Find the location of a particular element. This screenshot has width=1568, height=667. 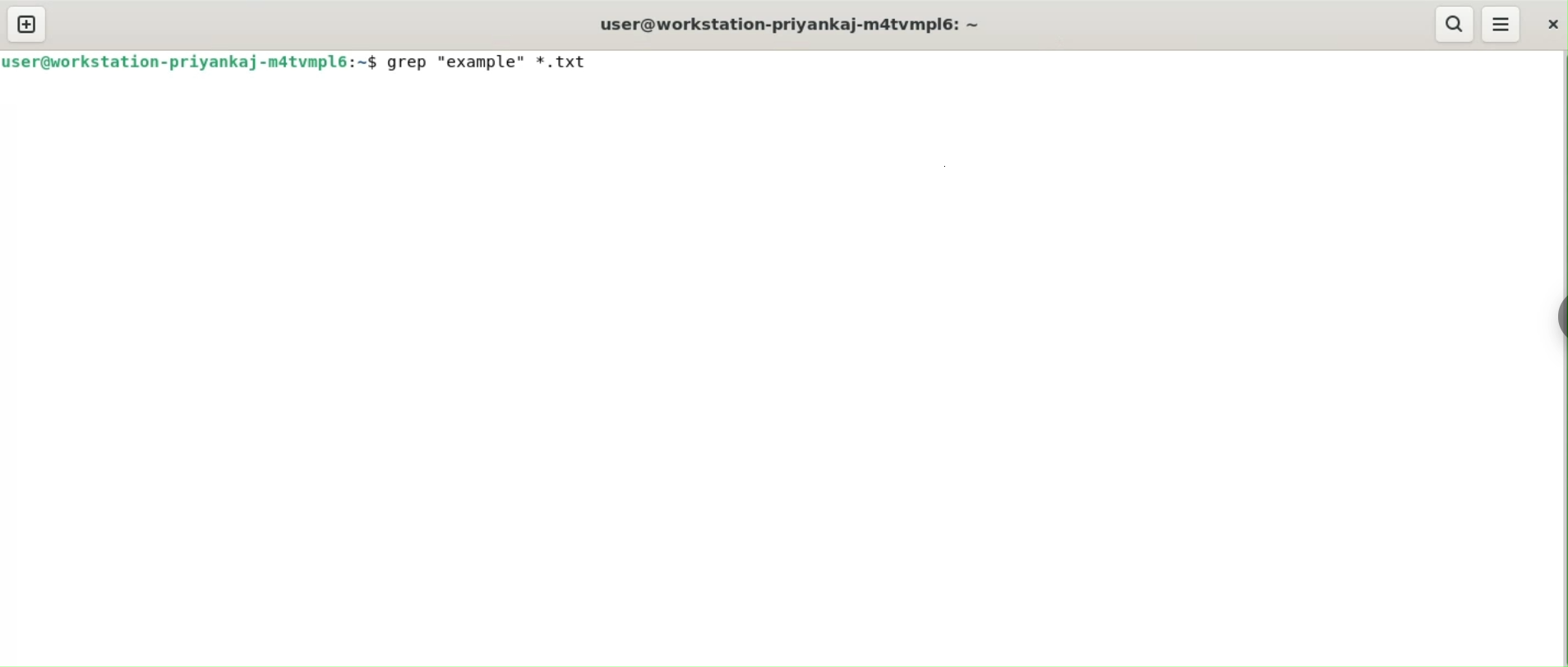

close is located at coordinates (1550, 23).